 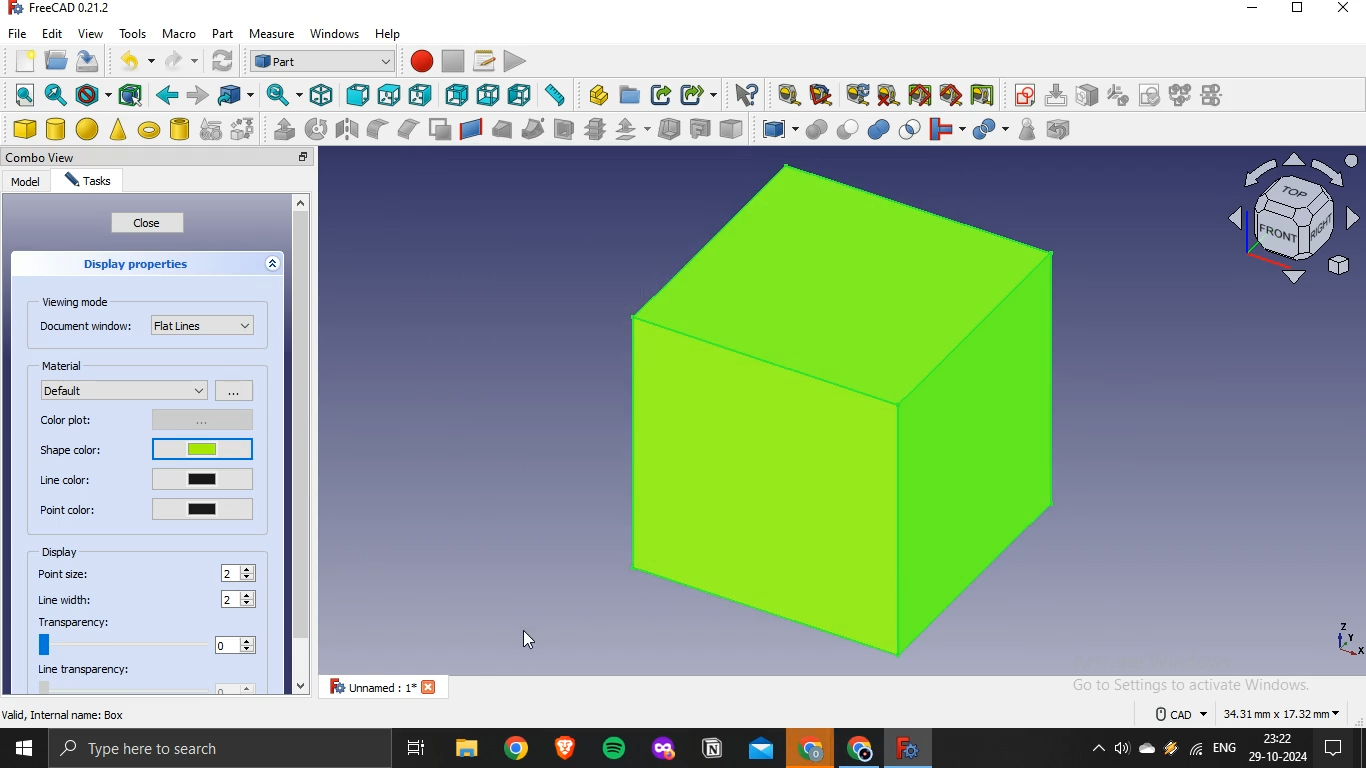 I want to click on viewing mode, so click(x=79, y=301).